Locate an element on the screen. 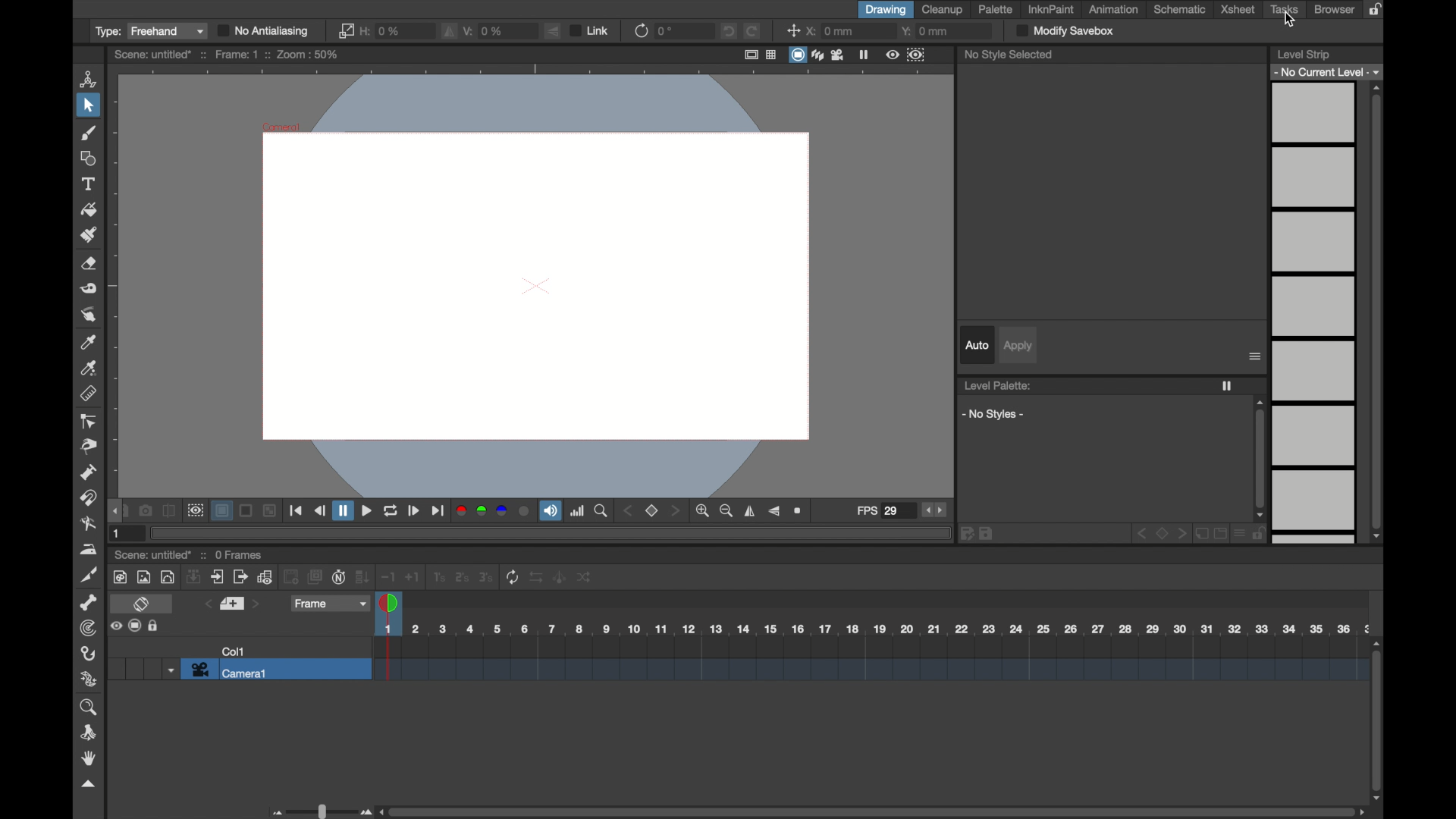 The width and height of the screenshot is (1456, 819). dropdown is located at coordinates (170, 670).